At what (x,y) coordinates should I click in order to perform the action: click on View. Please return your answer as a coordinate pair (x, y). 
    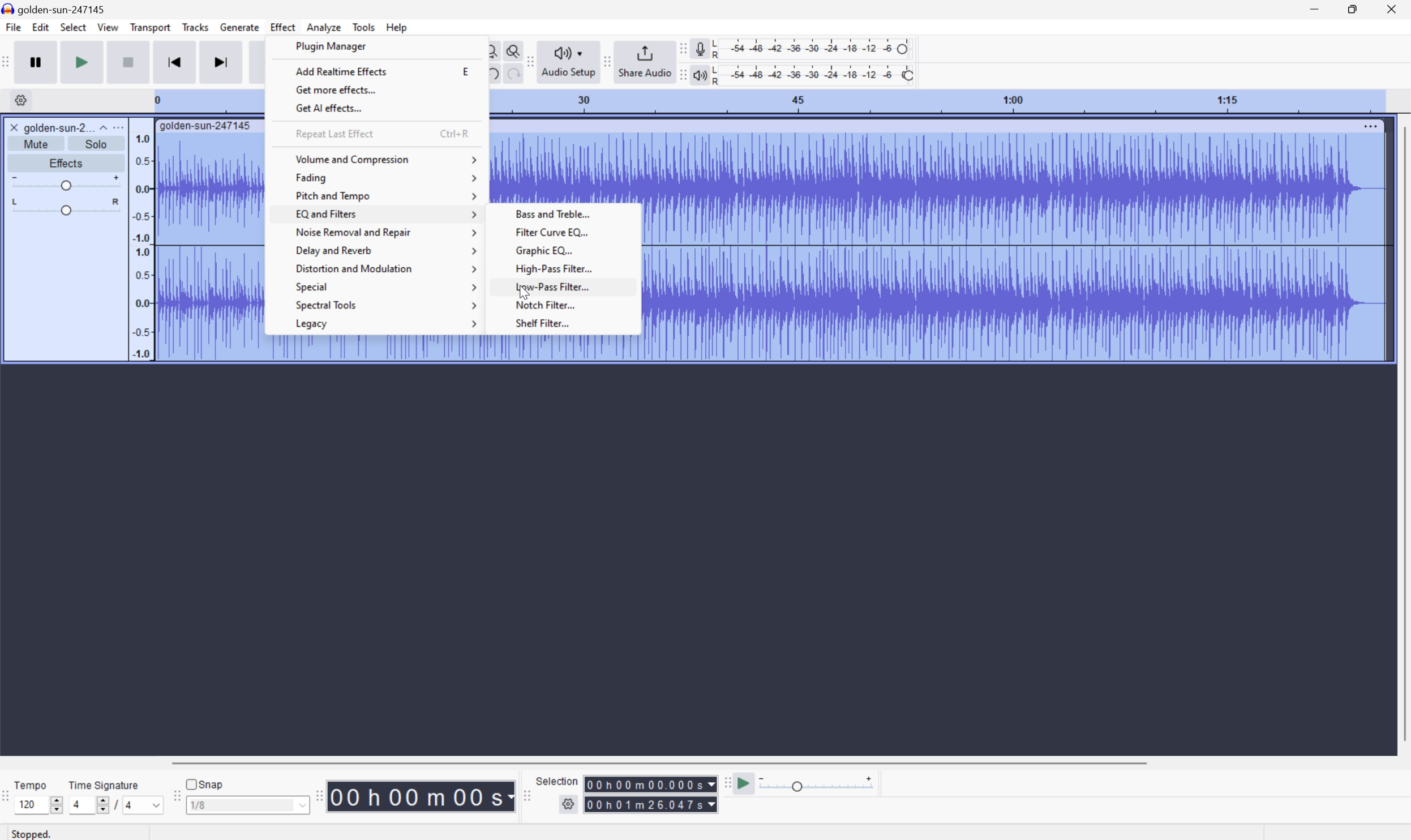
    Looking at the image, I should click on (109, 27).